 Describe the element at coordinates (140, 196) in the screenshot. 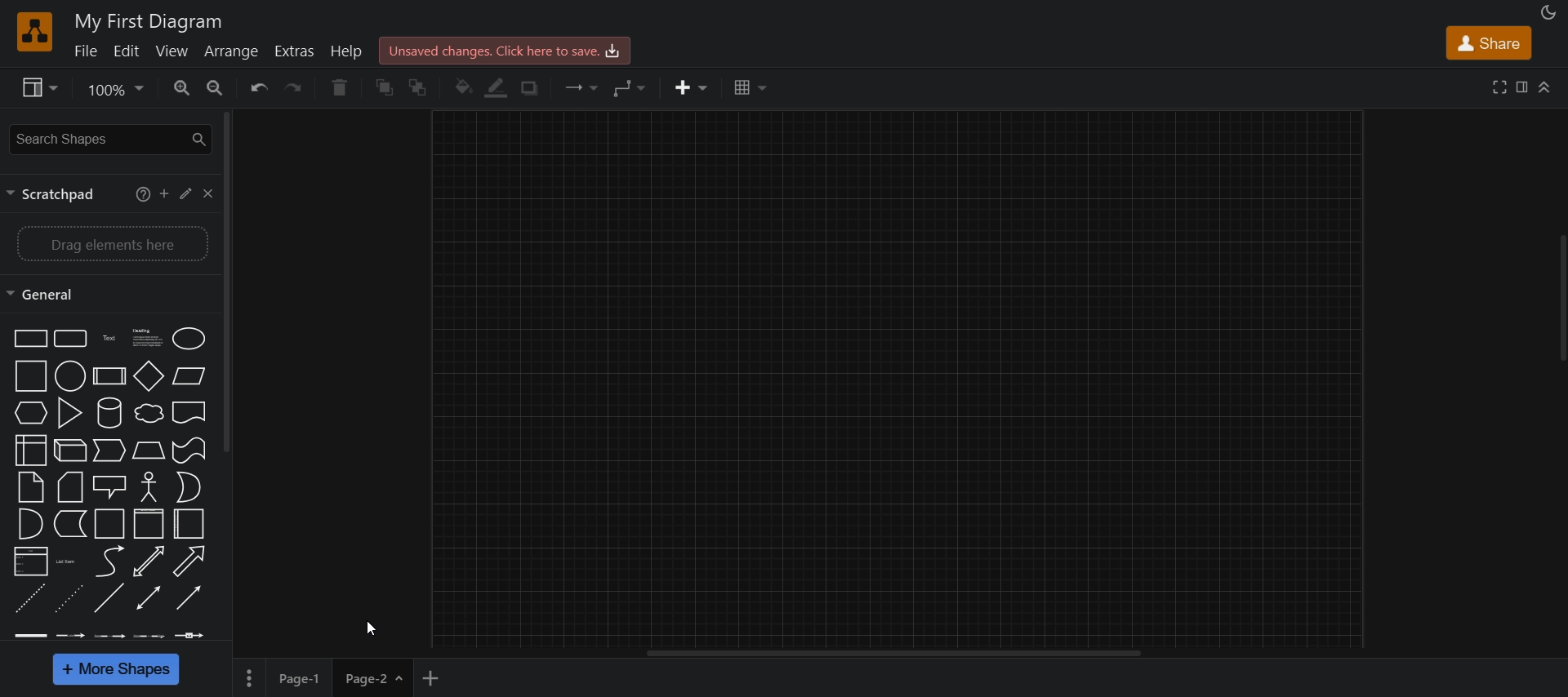

I see `help` at that location.